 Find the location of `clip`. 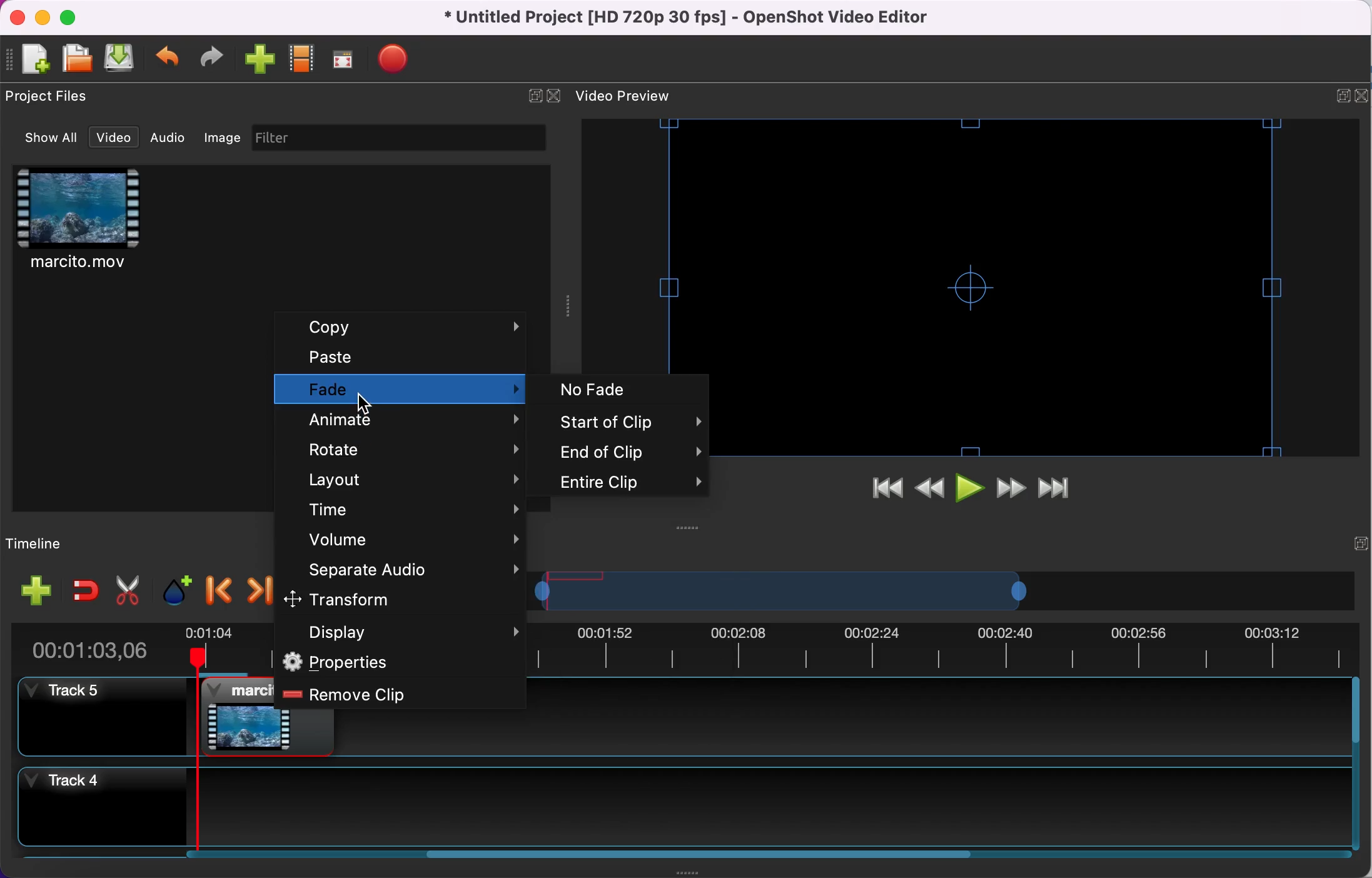

clip is located at coordinates (96, 223).